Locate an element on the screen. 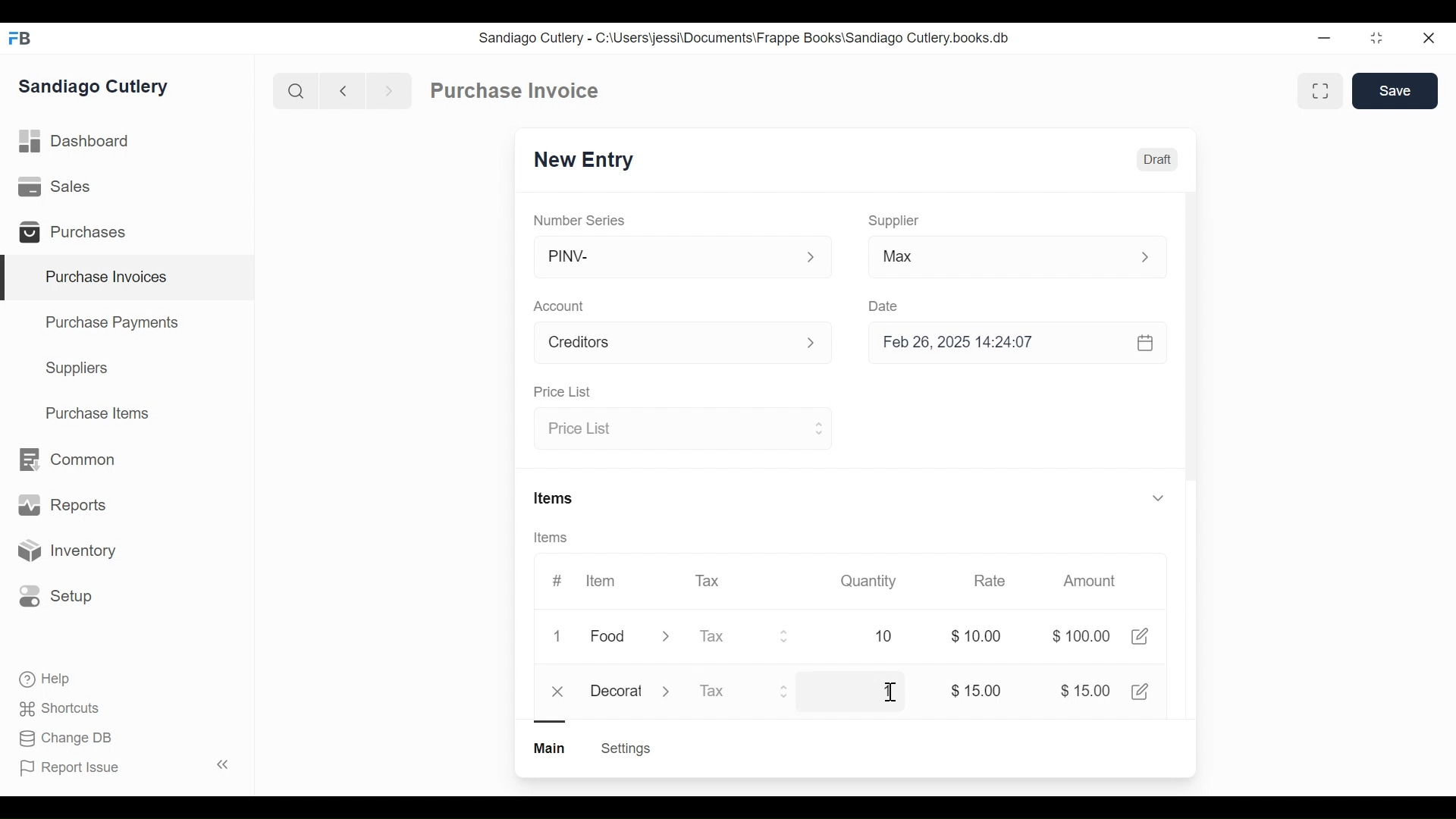  Purchase Payments is located at coordinates (115, 325).